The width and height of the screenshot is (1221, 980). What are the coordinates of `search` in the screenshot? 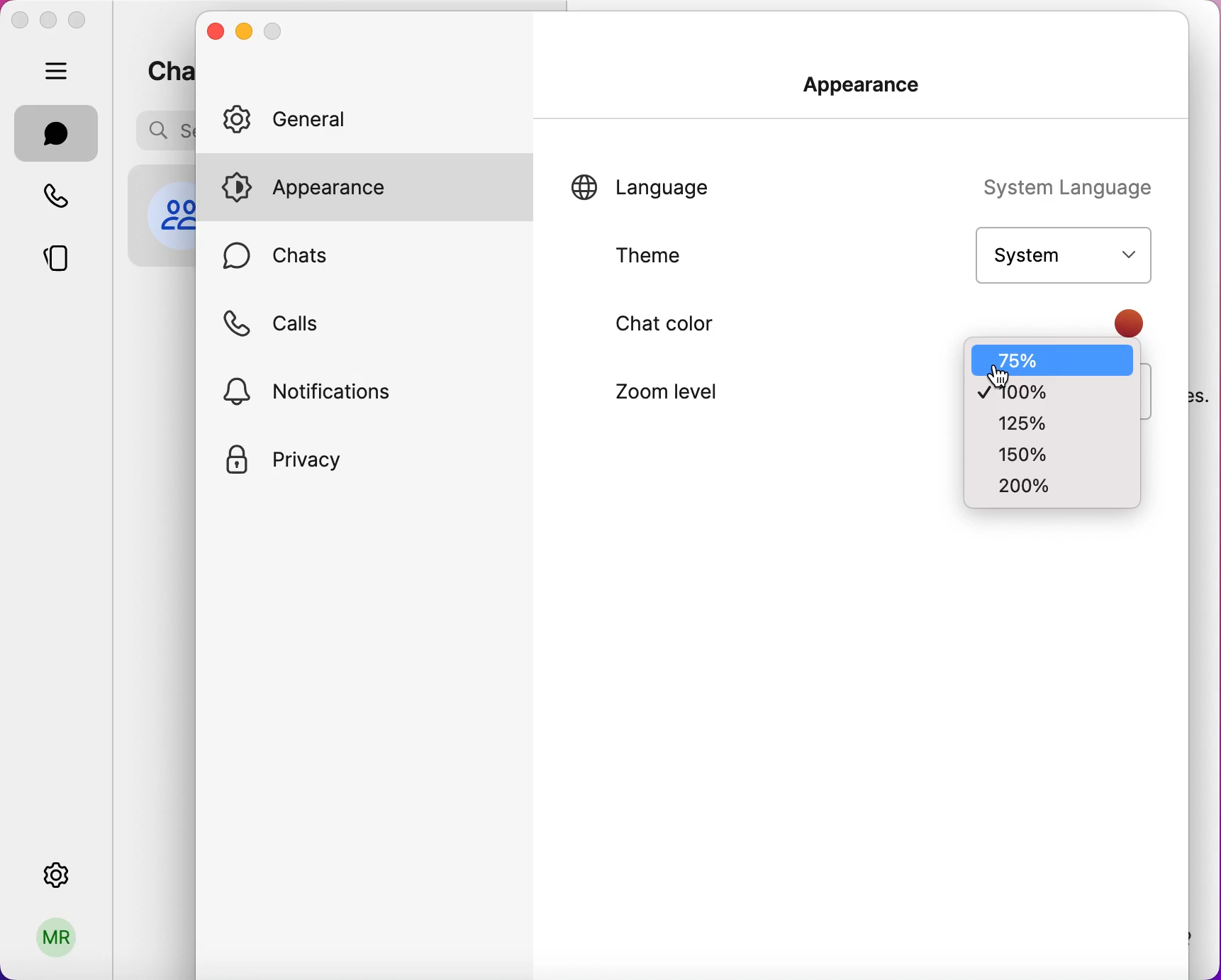 It's located at (156, 131).